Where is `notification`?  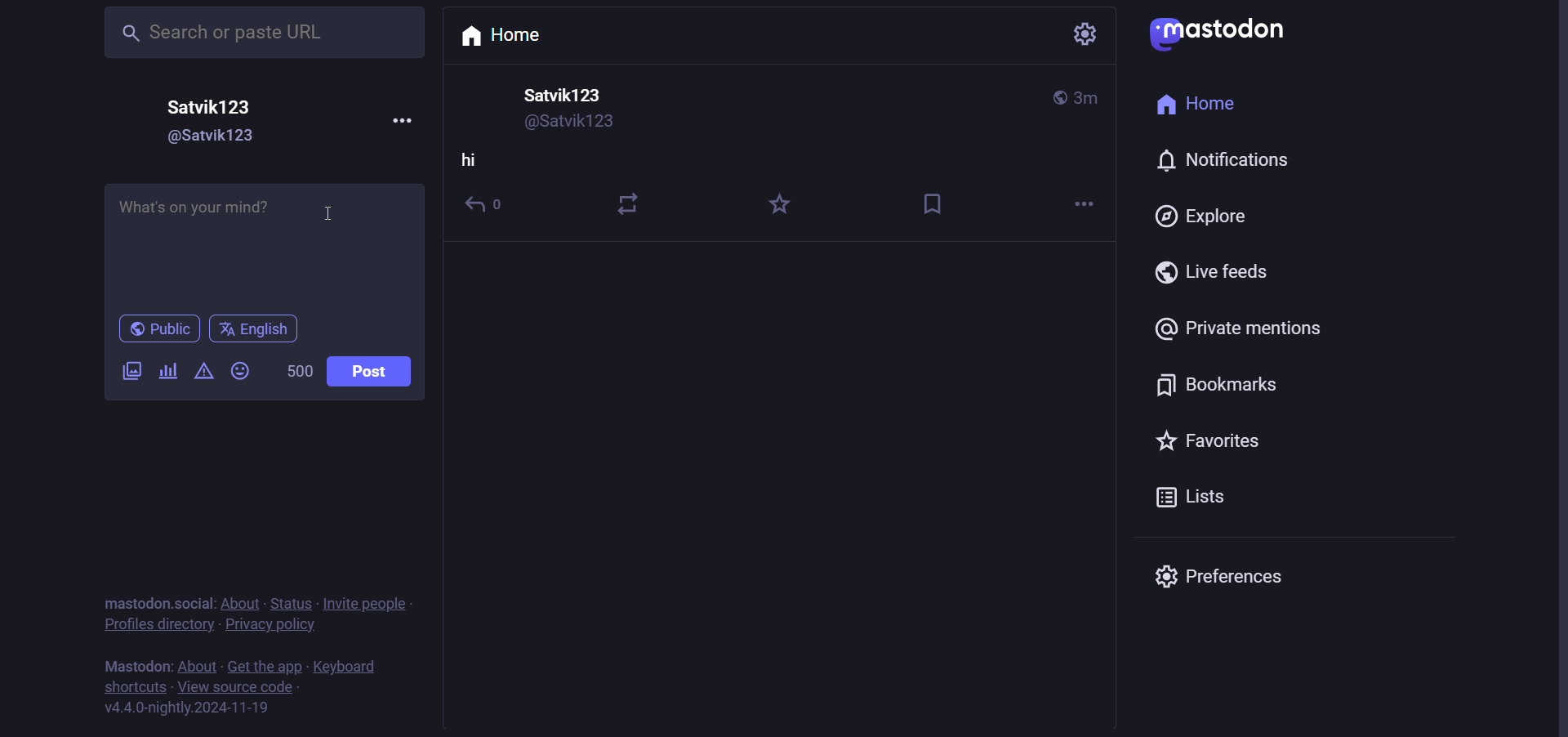
notification is located at coordinates (1218, 161).